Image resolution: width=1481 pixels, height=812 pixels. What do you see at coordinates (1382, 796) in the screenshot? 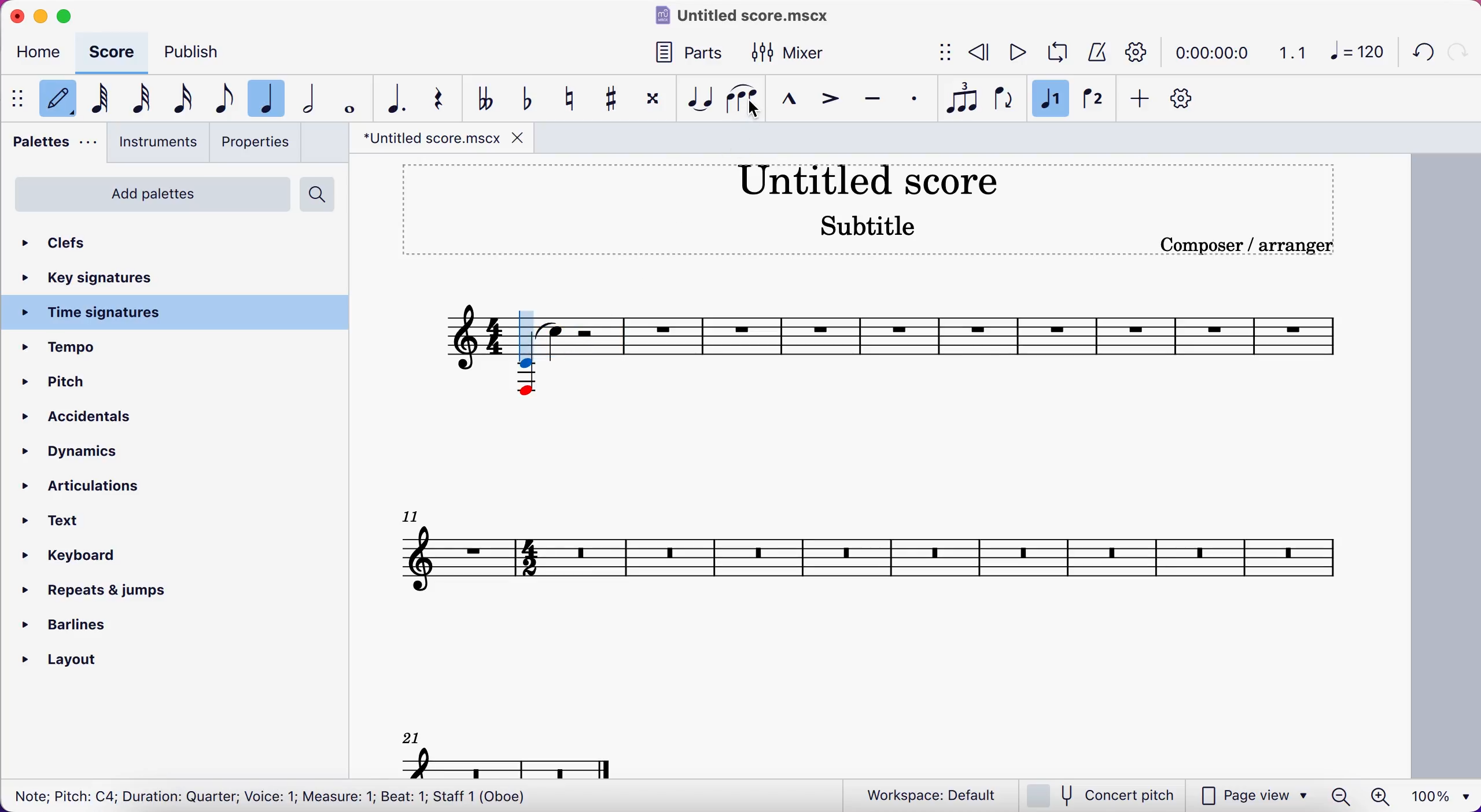
I see `zoom in` at bounding box center [1382, 796].